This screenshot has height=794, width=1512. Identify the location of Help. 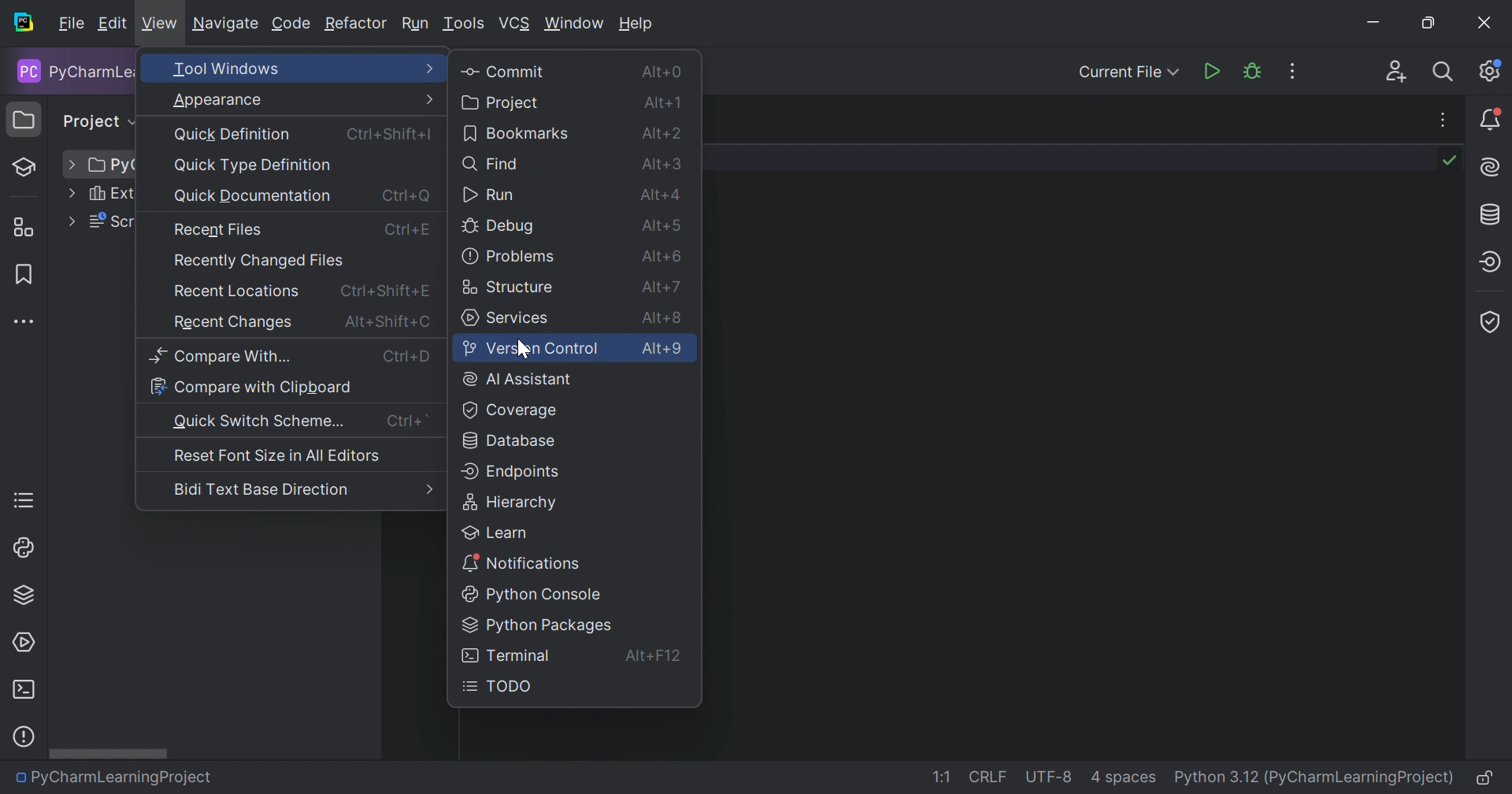
(638, 24).